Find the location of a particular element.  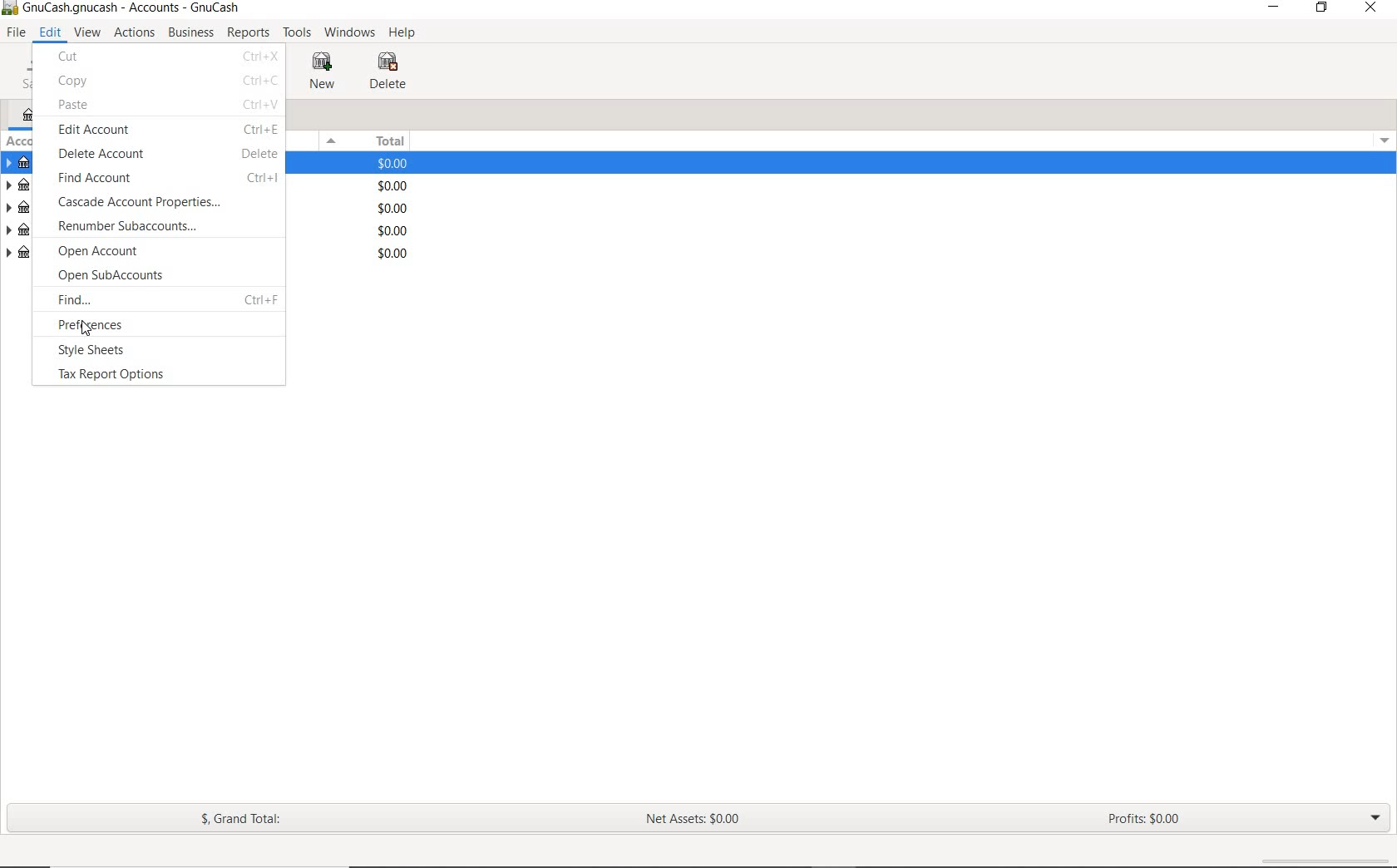

cursor is located at coordinates (87, 328).